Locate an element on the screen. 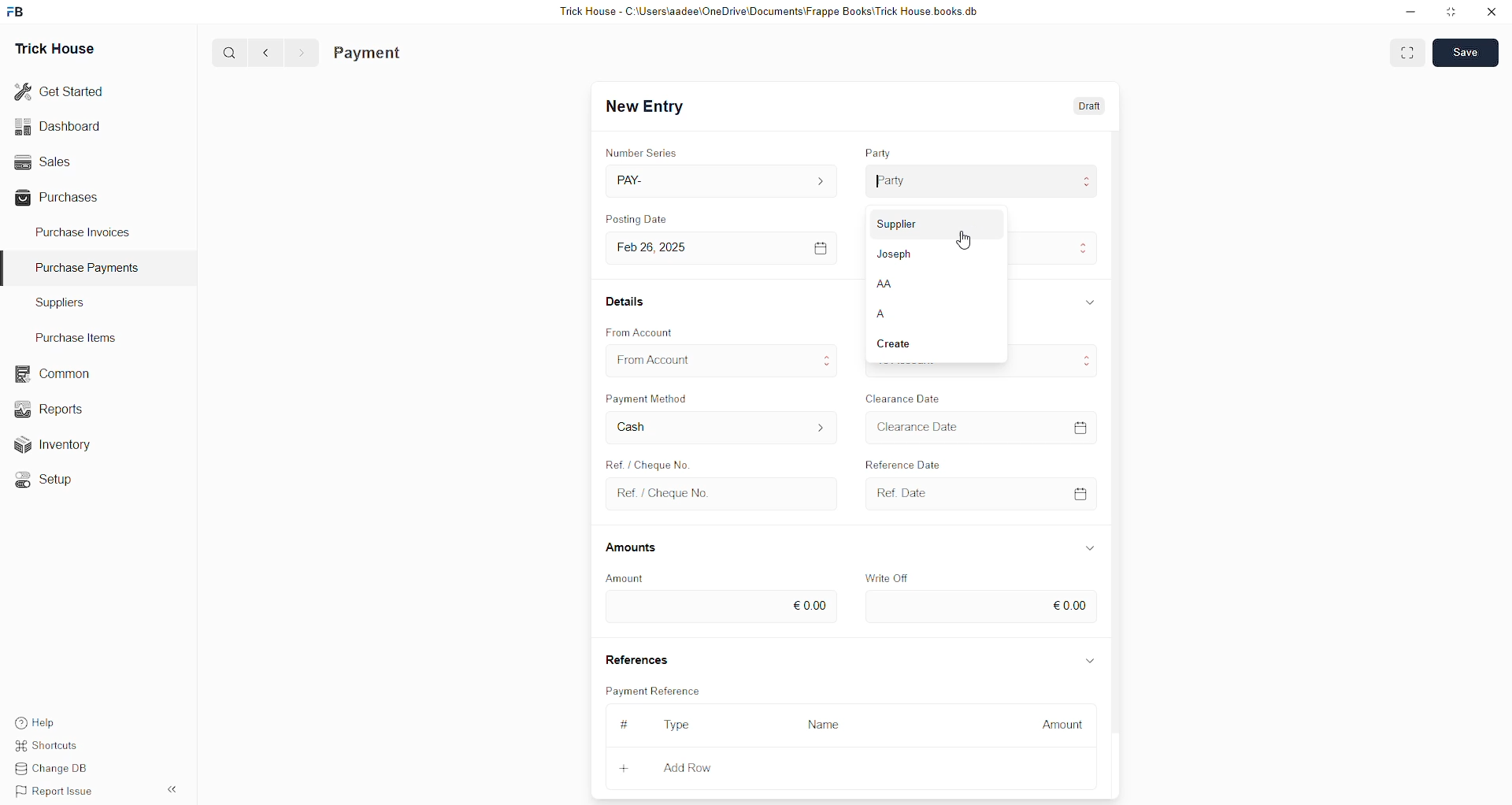 This screenshot has height=805, width=1512. €0.00 is located at coordinates (720, 608).